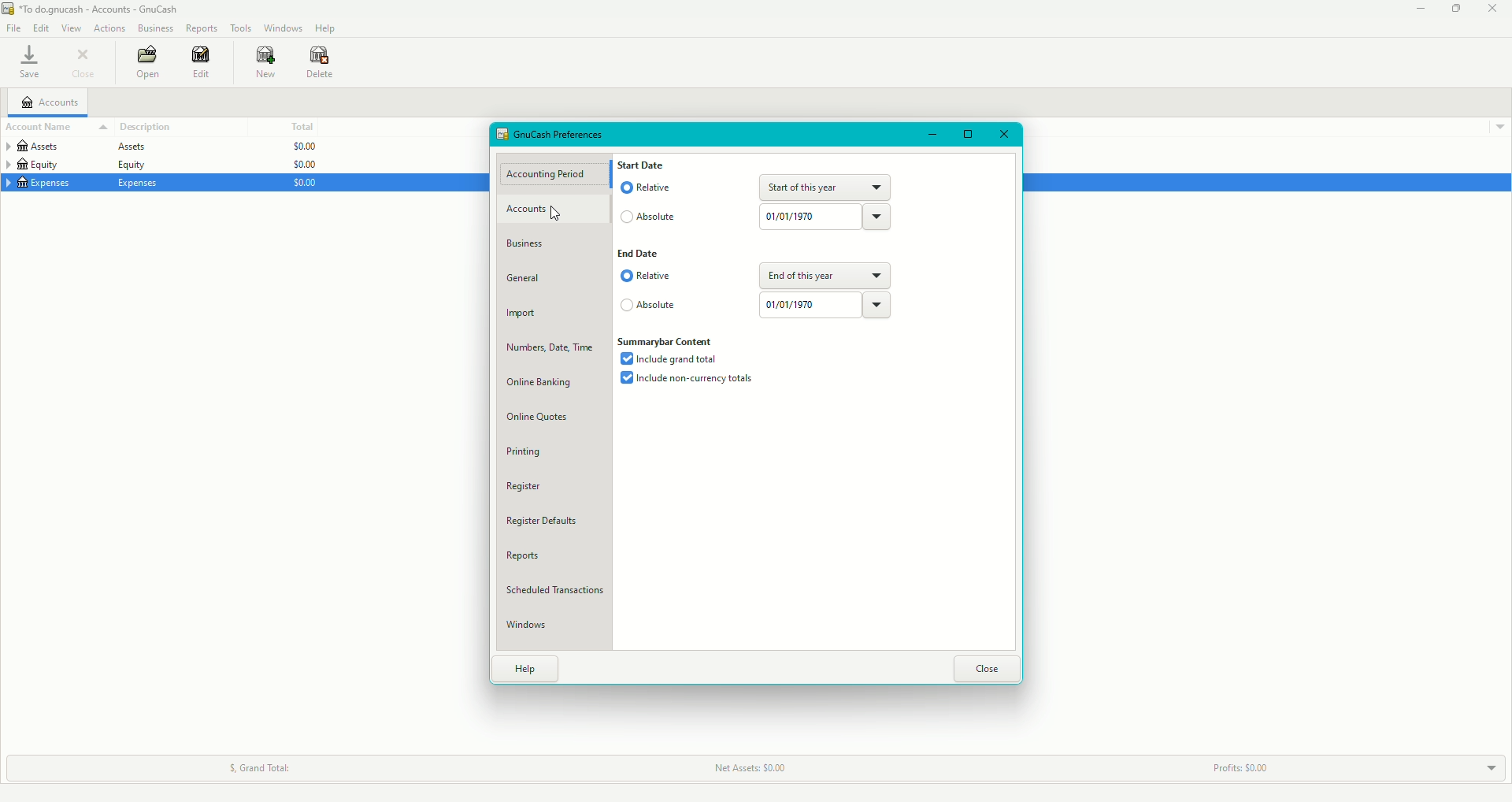 The width and height of the screenshot is (1512, 802). What do you see at coordinates (260, 767) in the screenshot?
I see `Grand Total` at bounding box center [260, 767].